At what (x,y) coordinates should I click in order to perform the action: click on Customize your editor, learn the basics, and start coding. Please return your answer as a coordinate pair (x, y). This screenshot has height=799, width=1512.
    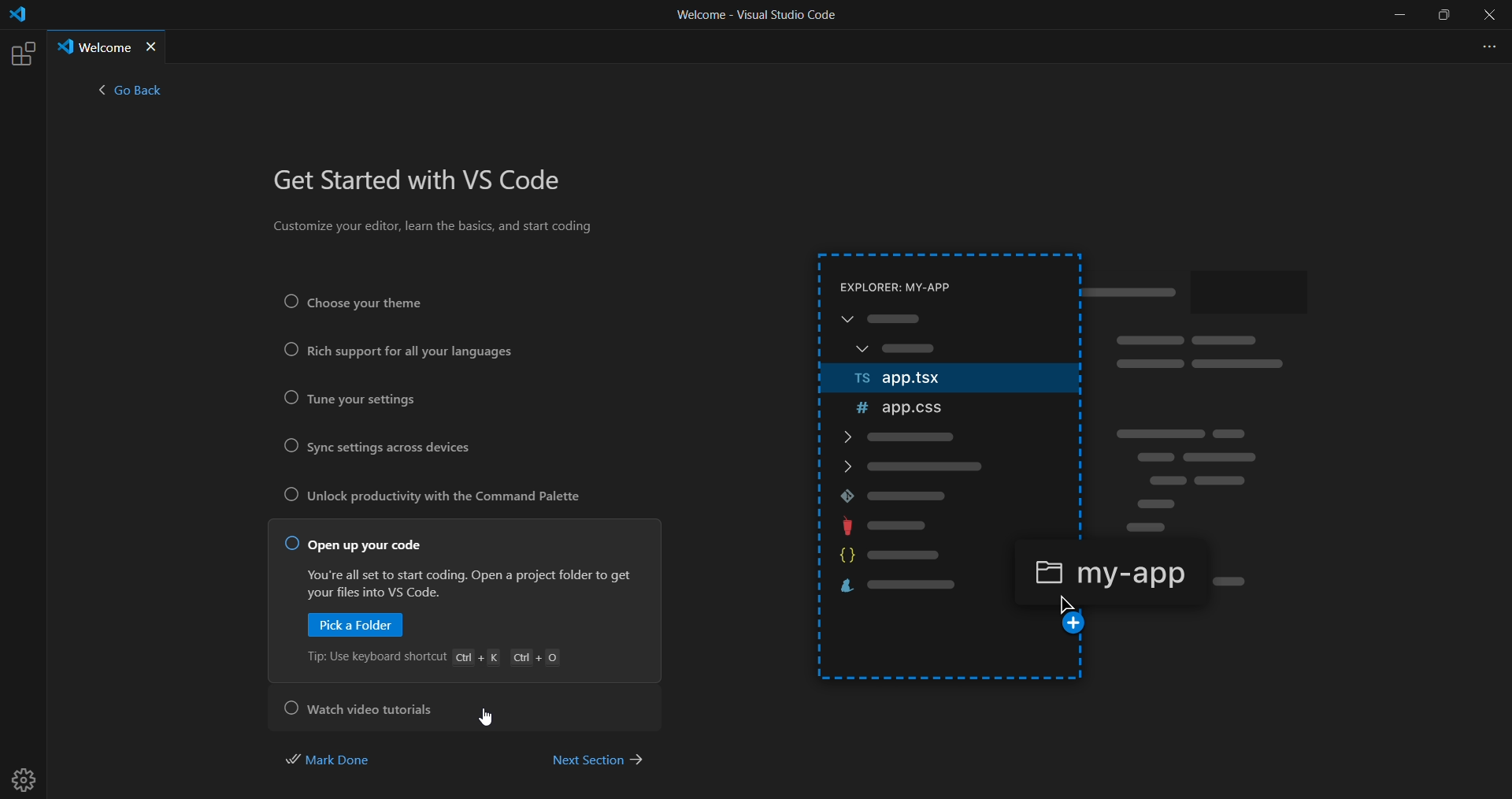
    Looking at the image, I should click on (436, 229).